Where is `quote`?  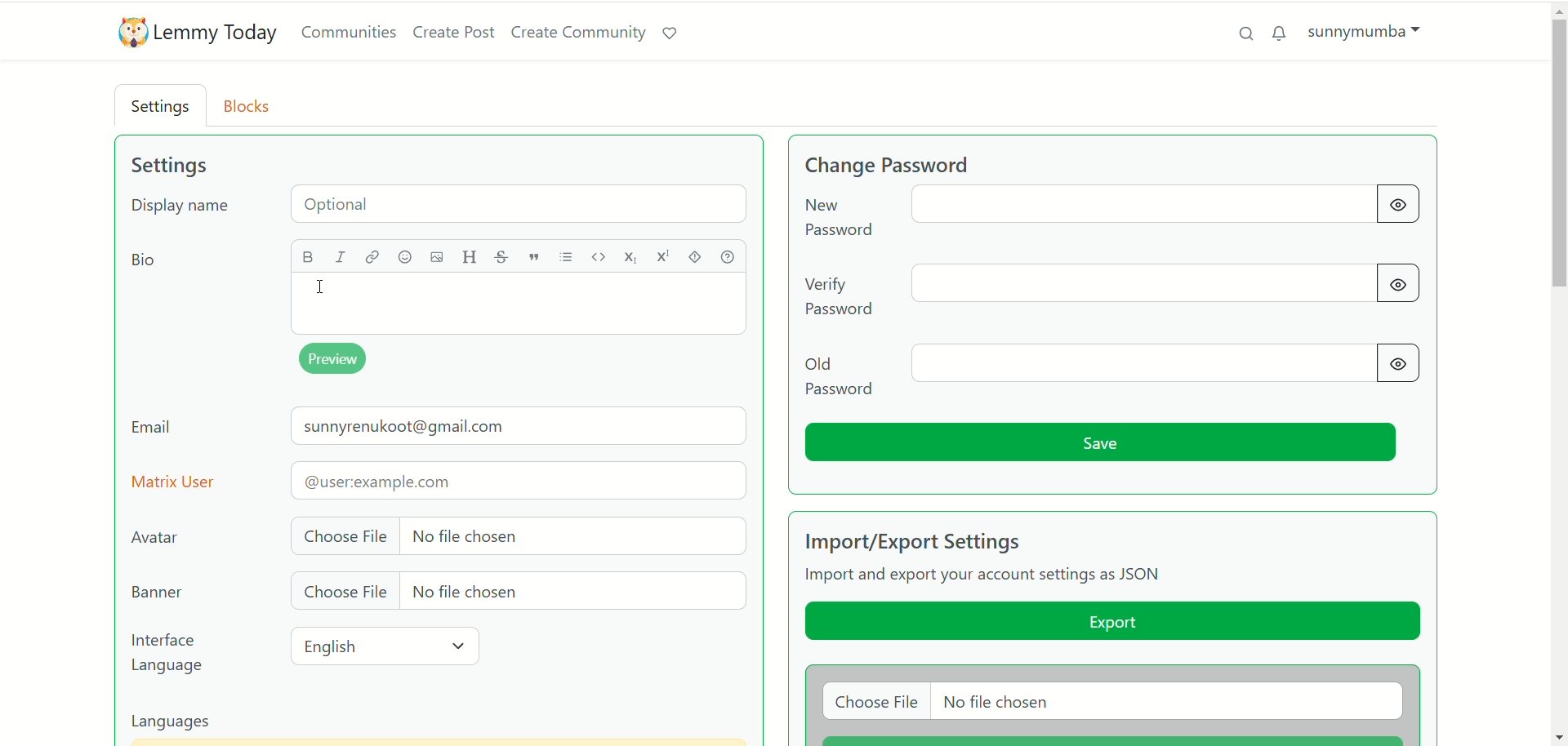
quote is located at coordinates (533, 257).